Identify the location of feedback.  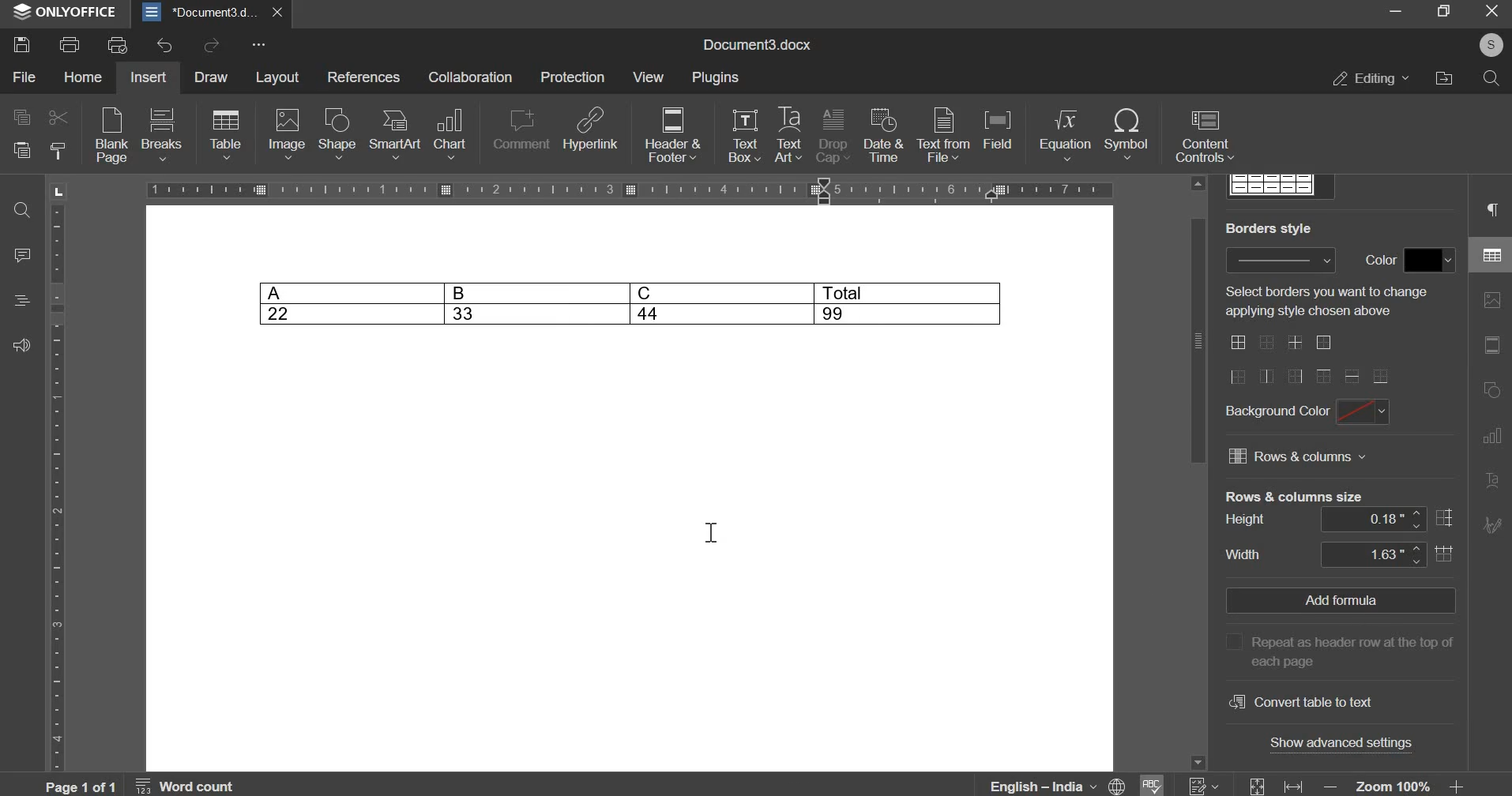
(24, 344).